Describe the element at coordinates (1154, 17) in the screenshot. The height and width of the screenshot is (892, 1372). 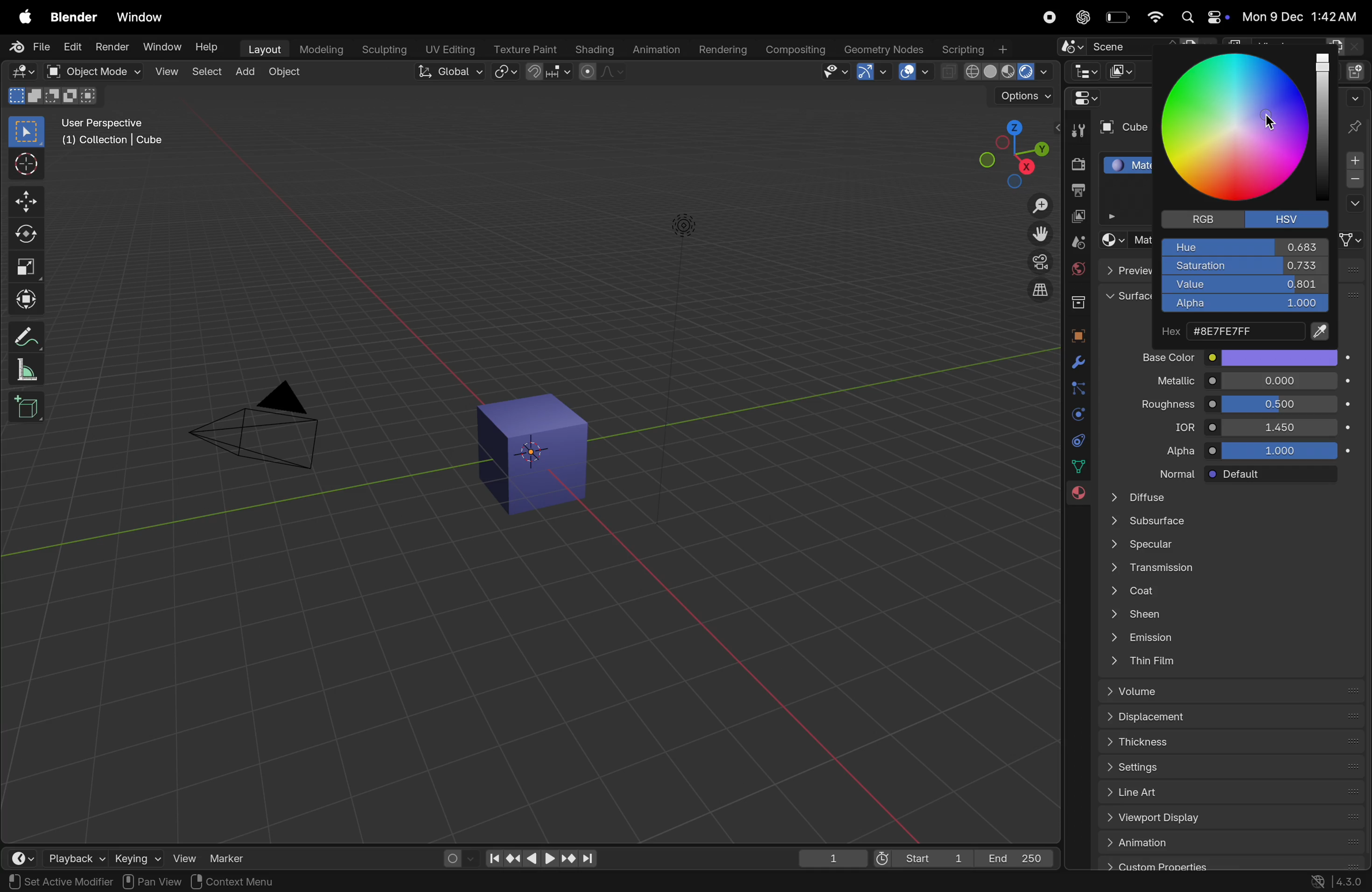
I see `wifi` at that location.